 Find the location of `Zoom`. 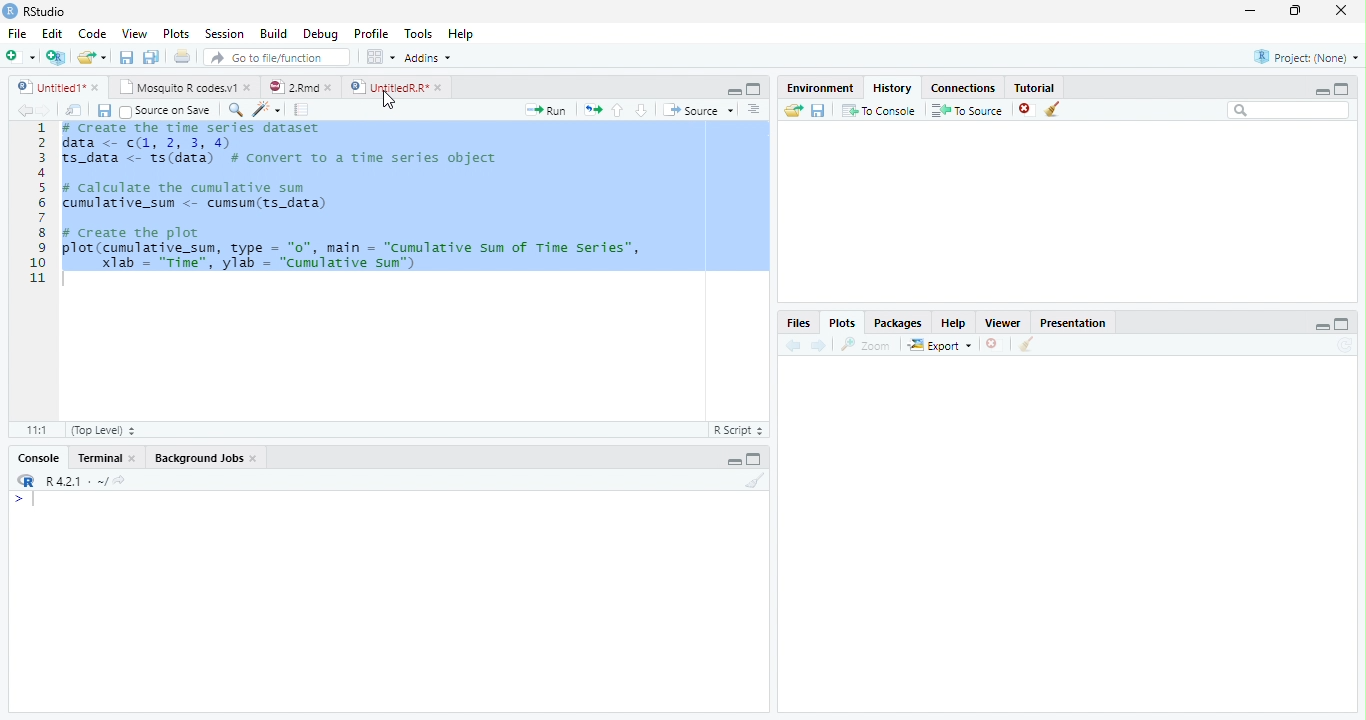

Zoom is located at coordinates (866, 345).